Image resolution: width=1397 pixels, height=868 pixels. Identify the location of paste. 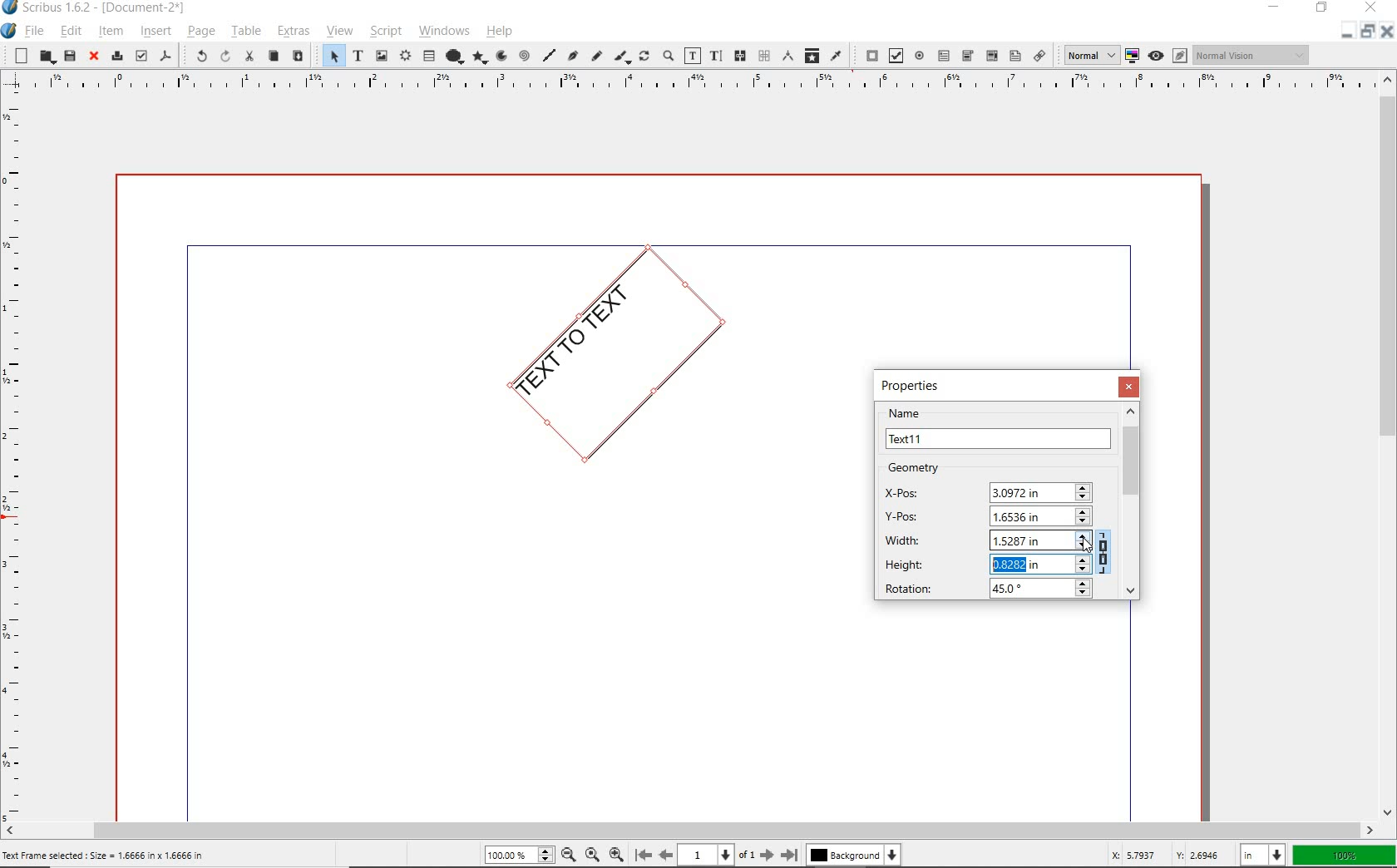
(298, 56).